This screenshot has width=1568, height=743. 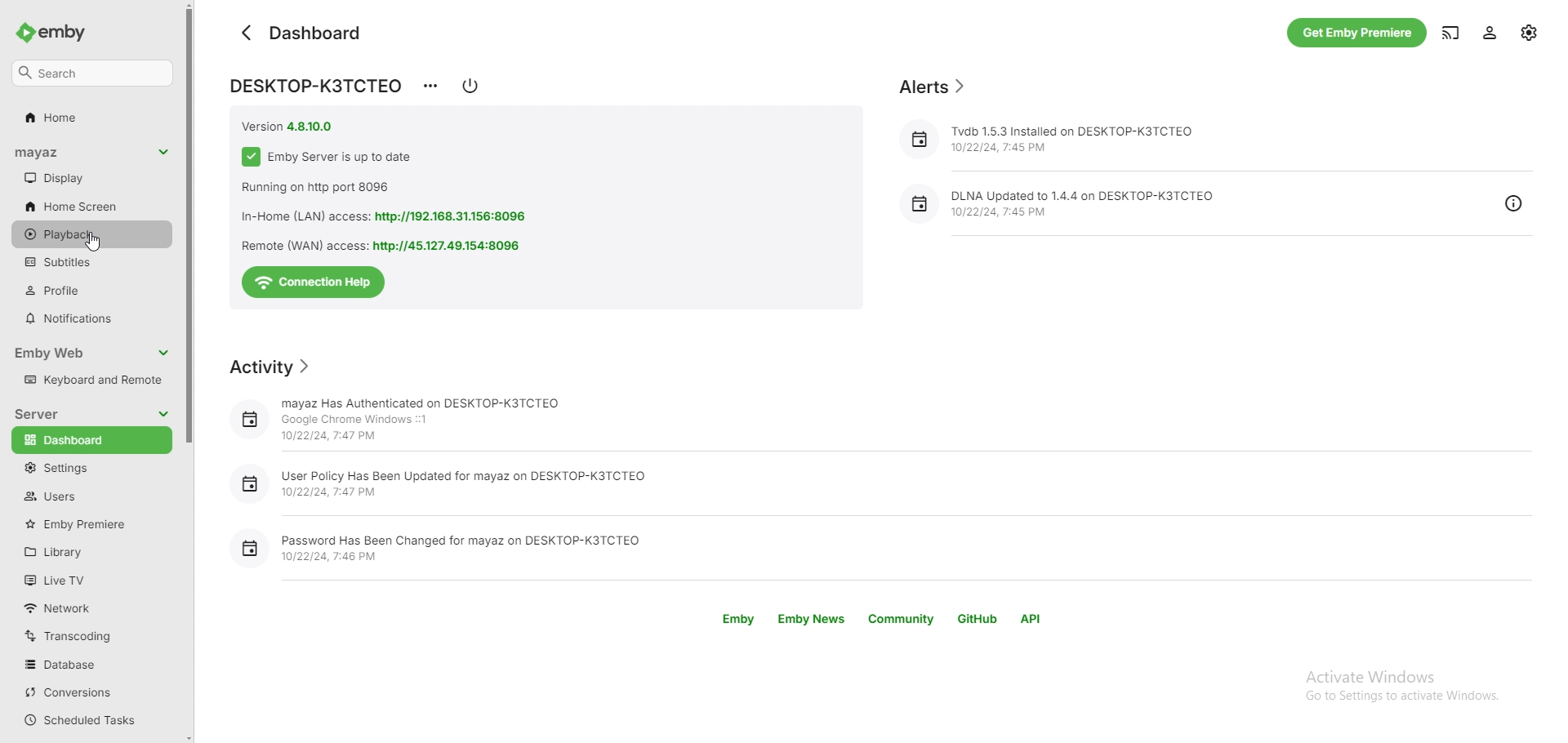 What do you see at coordinates (87, 469) in the screenshot?
I see `settings` at bounding box center [87, 469].